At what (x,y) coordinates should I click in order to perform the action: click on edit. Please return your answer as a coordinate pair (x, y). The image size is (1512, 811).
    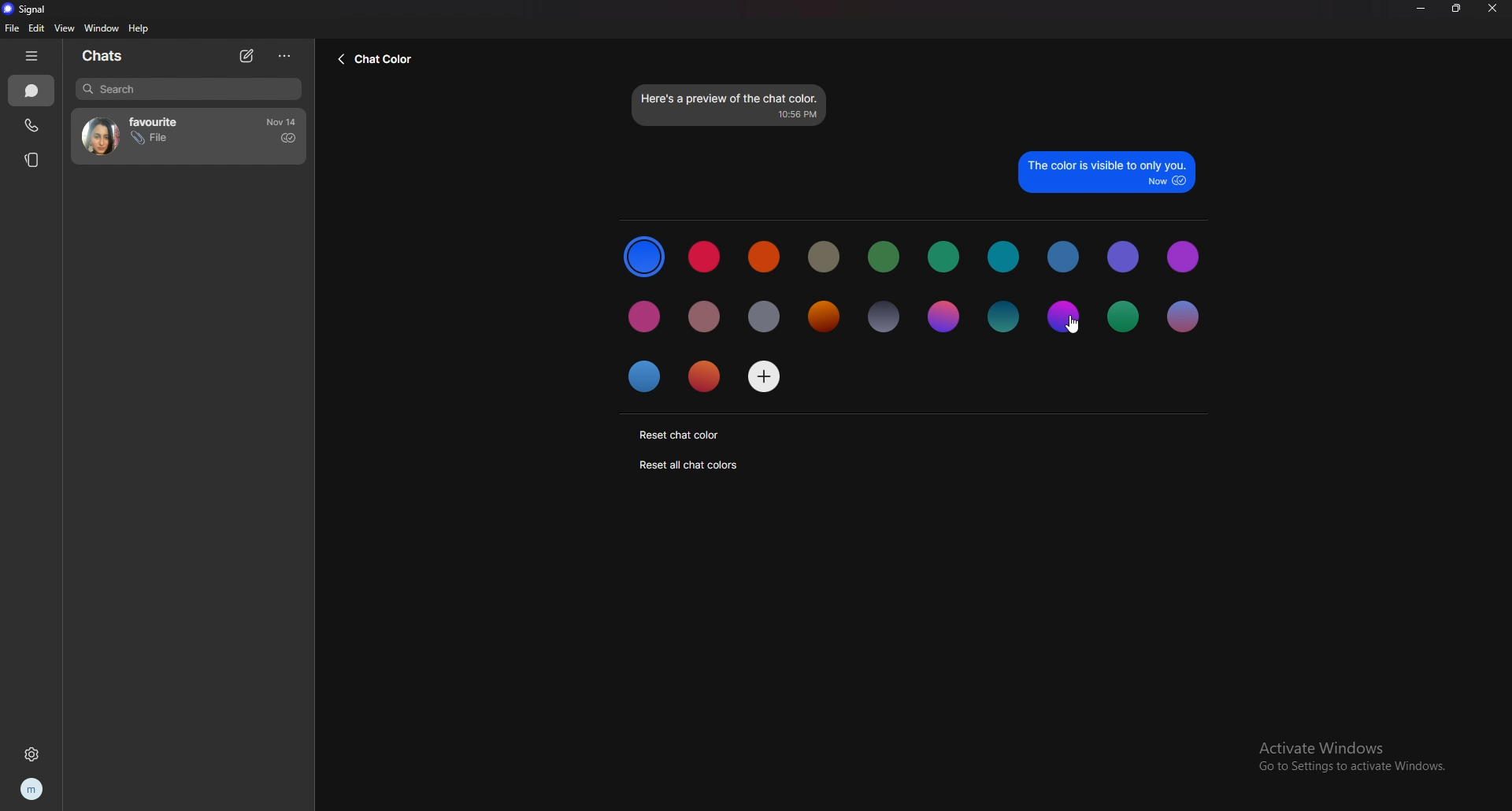
    Looking at the image, I should click on (37, 28).